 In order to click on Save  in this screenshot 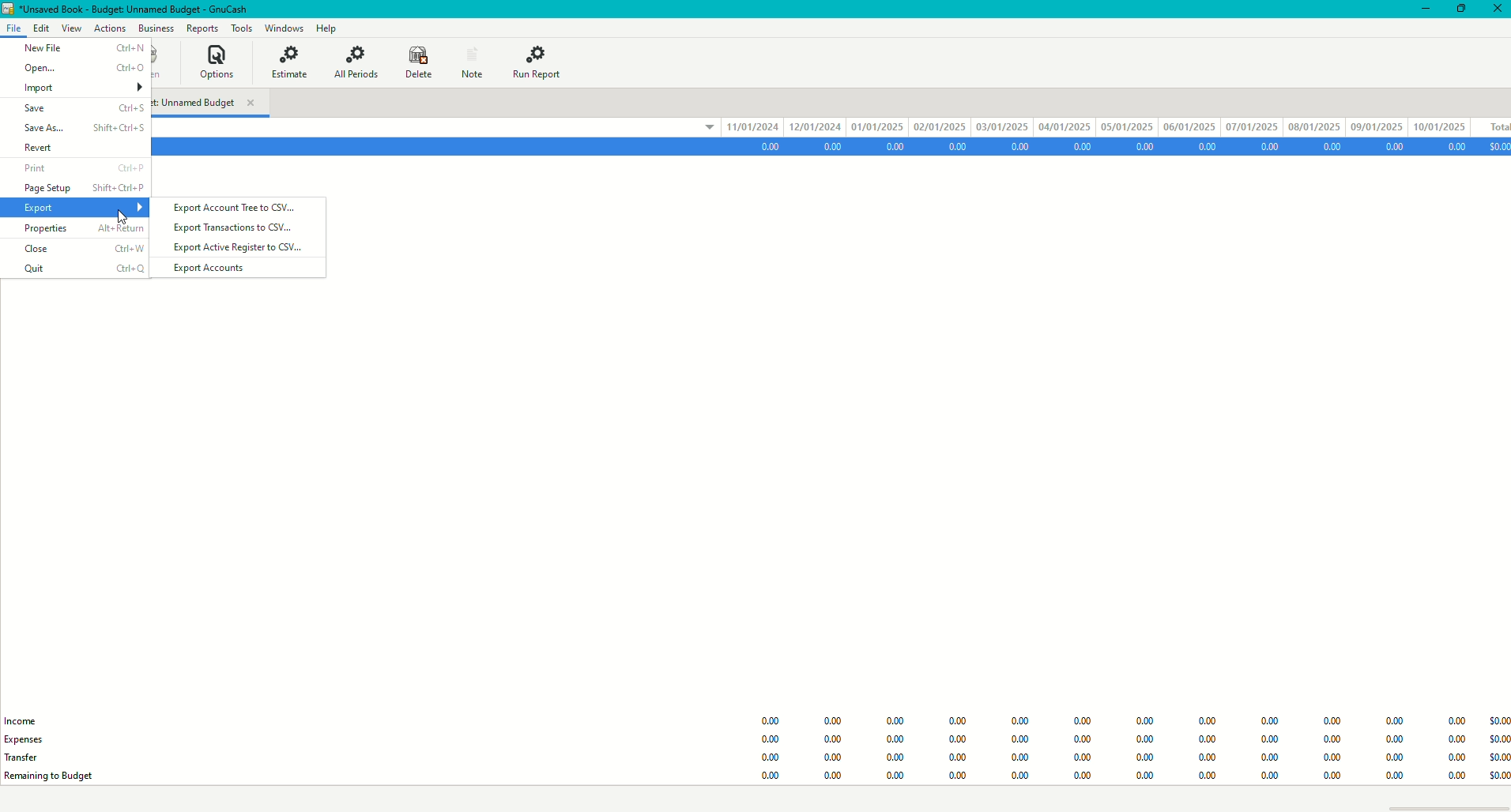, I will do `click(81, 109)`.